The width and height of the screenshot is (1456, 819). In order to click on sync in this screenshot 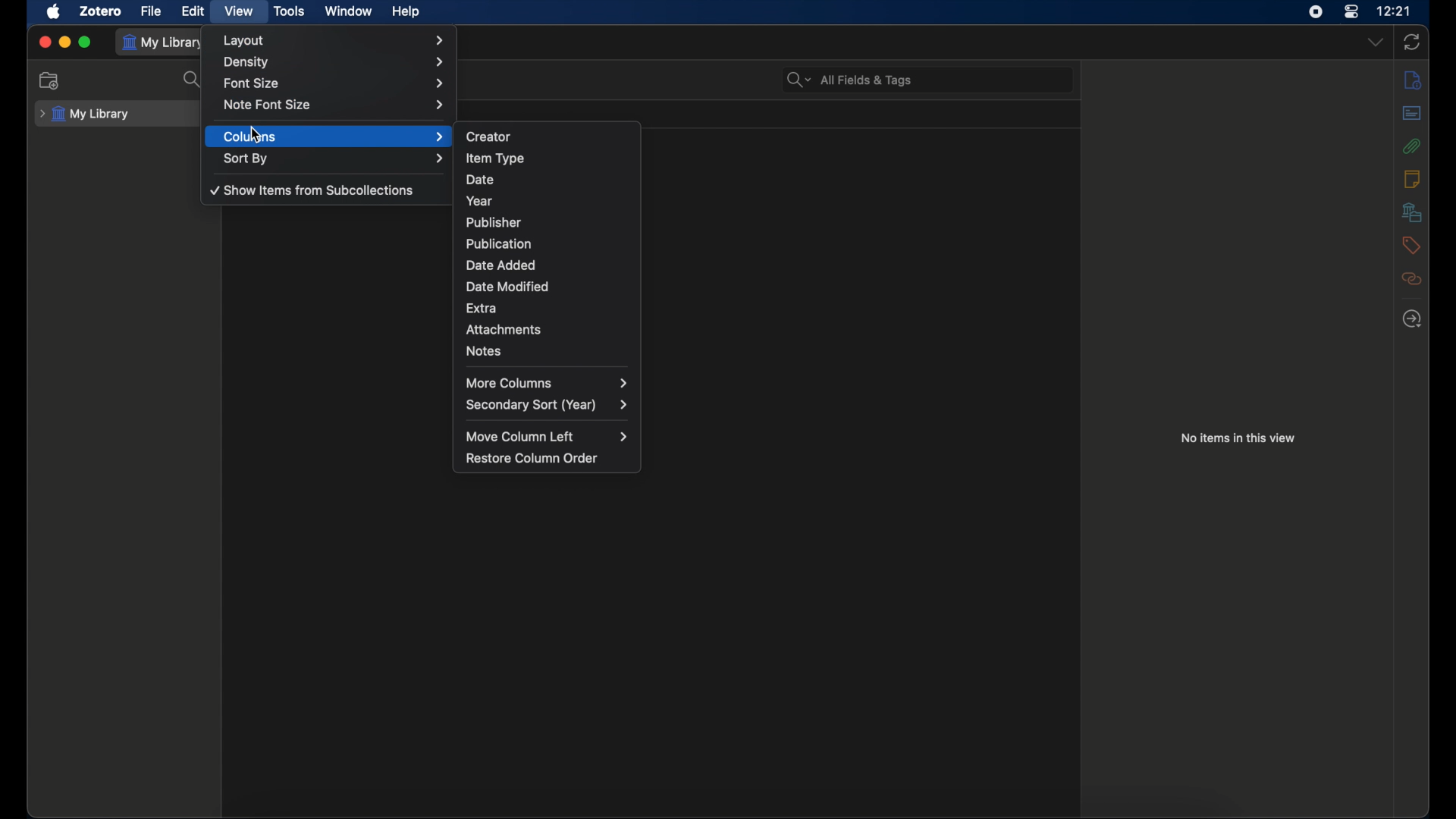, I will do `click(1410, 42)`.